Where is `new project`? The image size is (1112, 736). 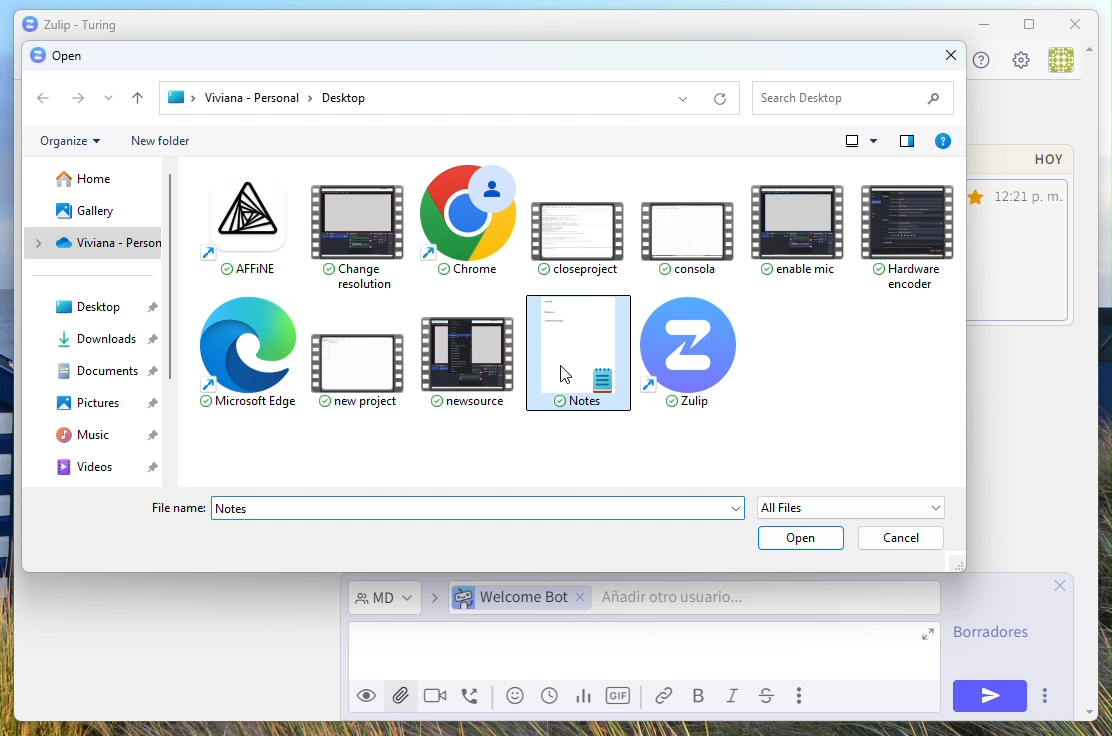
new project is located at coordinates (363, 363).